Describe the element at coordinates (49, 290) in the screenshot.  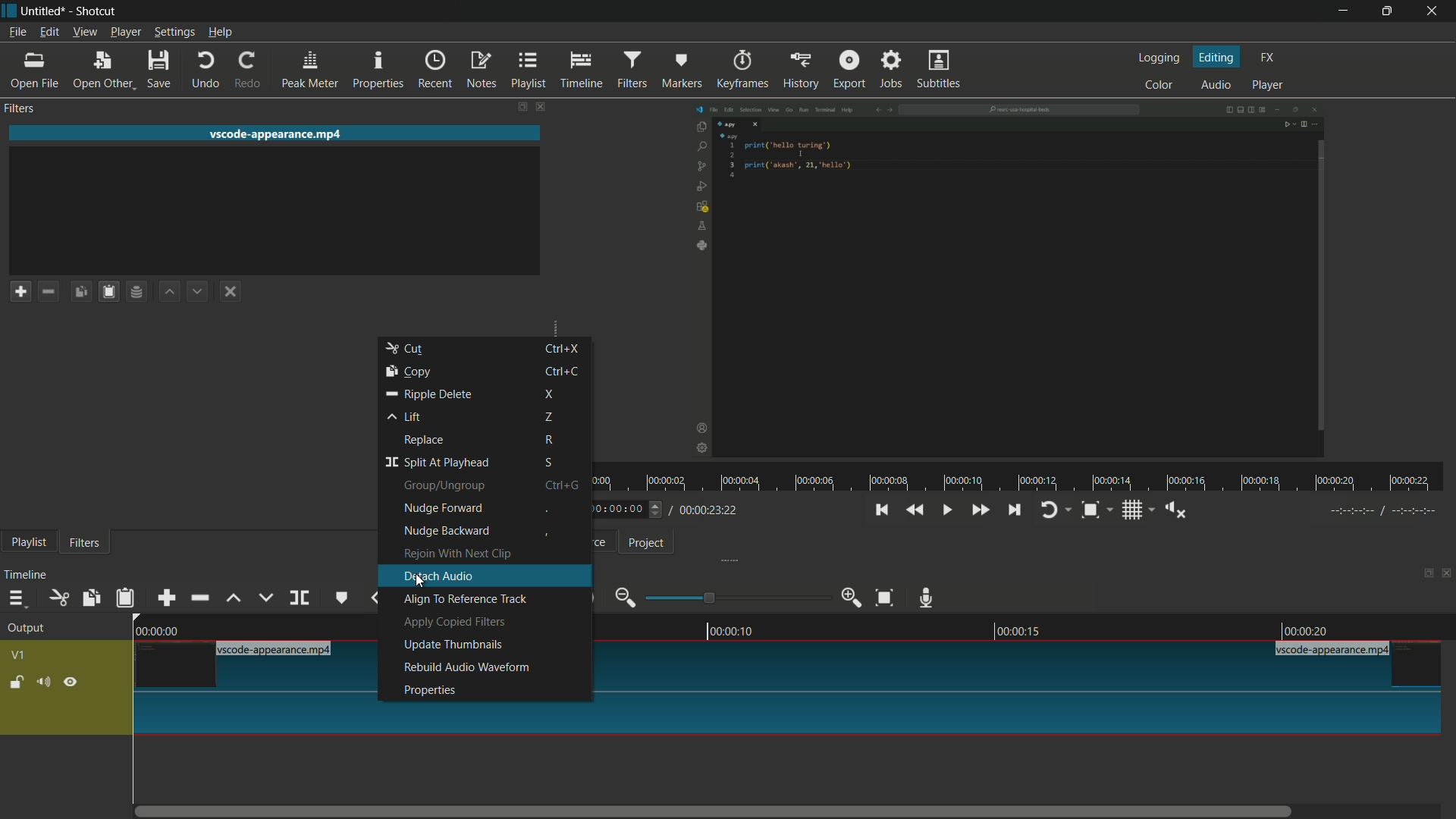
I see `remove a filter` at that location.